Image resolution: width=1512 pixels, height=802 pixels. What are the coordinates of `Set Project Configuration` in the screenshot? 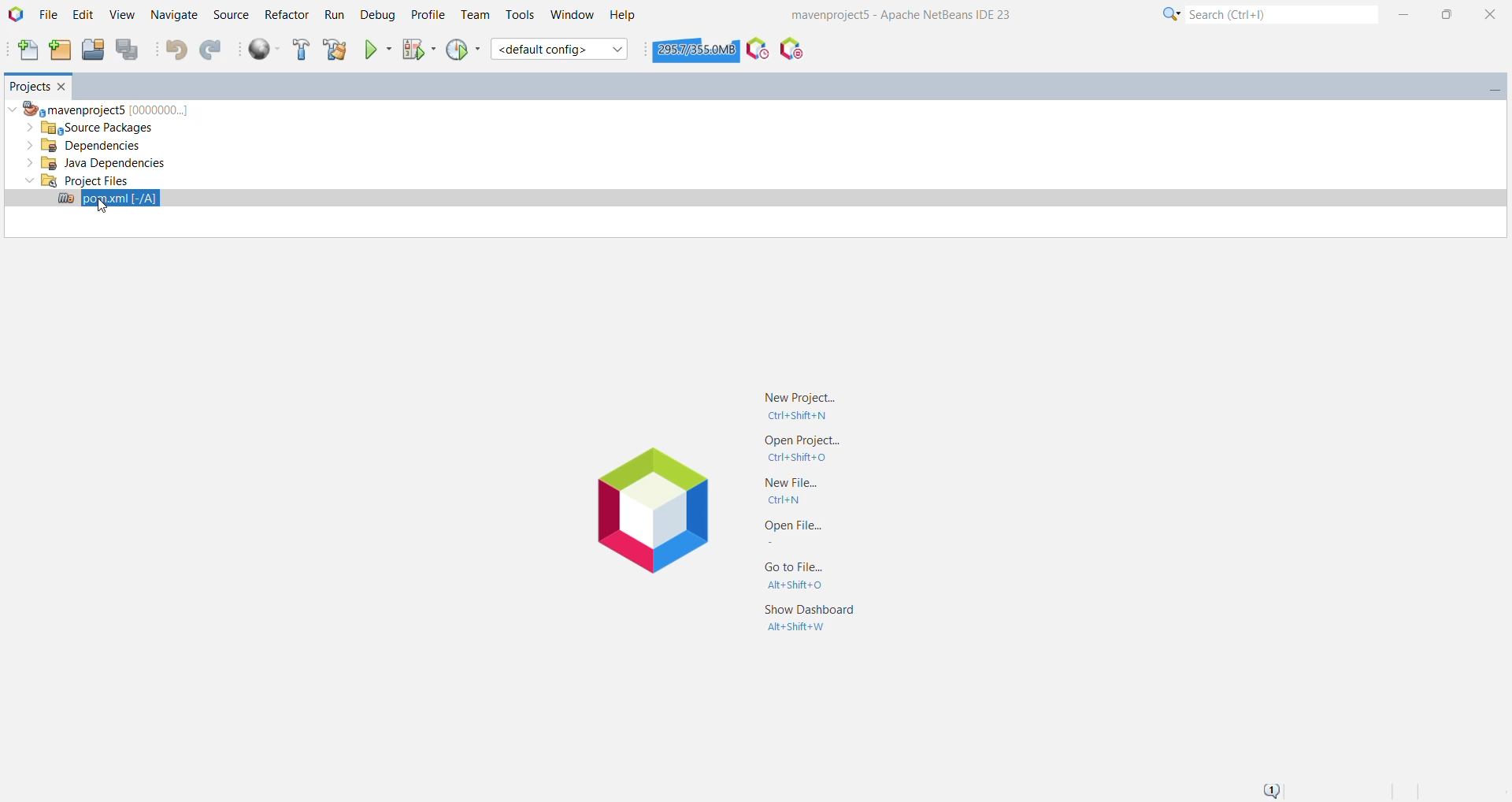 It's located at (560, 49).